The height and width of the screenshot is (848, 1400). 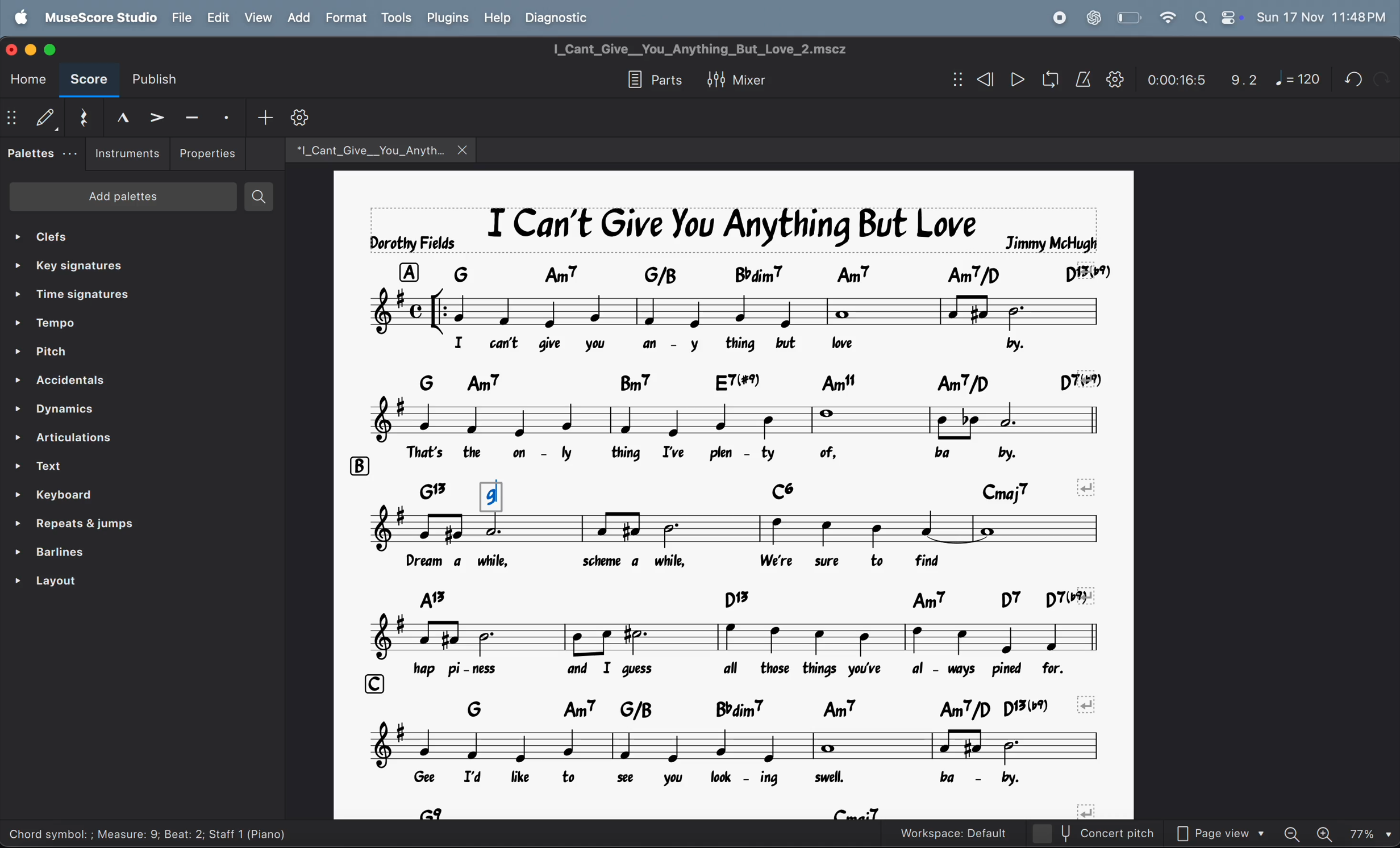 I want to click on g chord , so click(x=493, y=496).